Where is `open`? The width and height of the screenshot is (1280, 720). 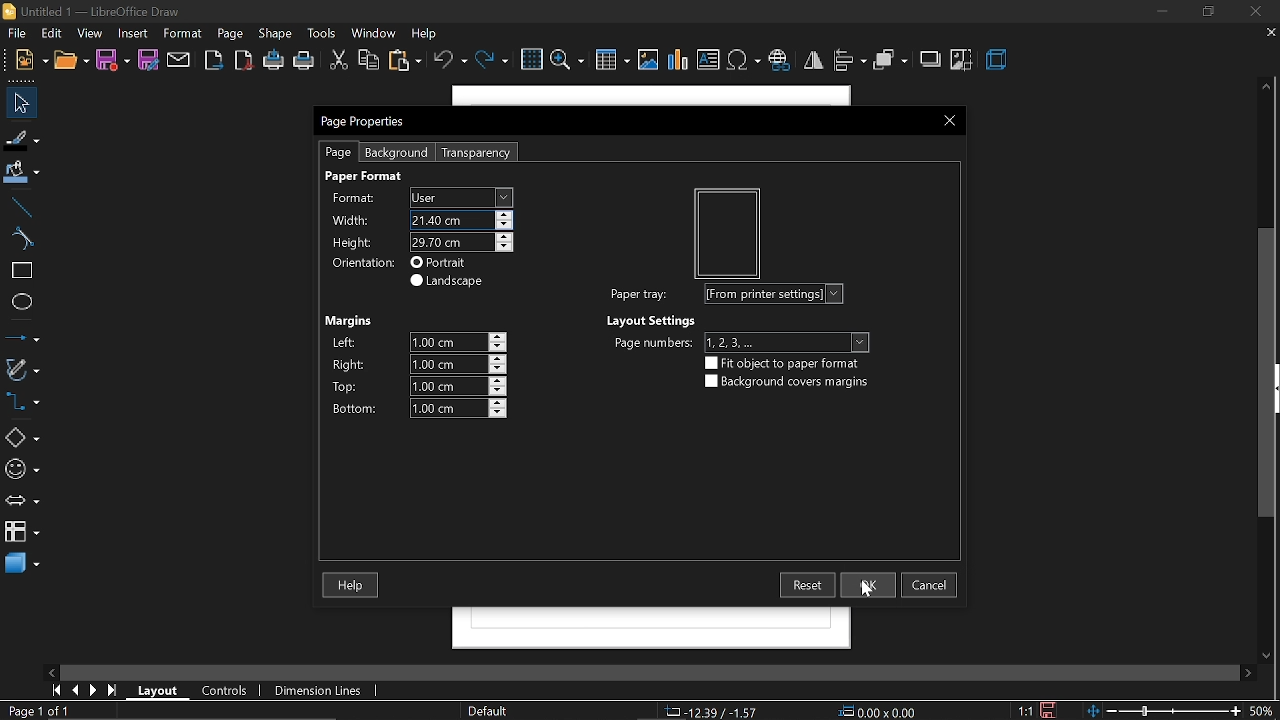
open is located at coordinates (70, 63).